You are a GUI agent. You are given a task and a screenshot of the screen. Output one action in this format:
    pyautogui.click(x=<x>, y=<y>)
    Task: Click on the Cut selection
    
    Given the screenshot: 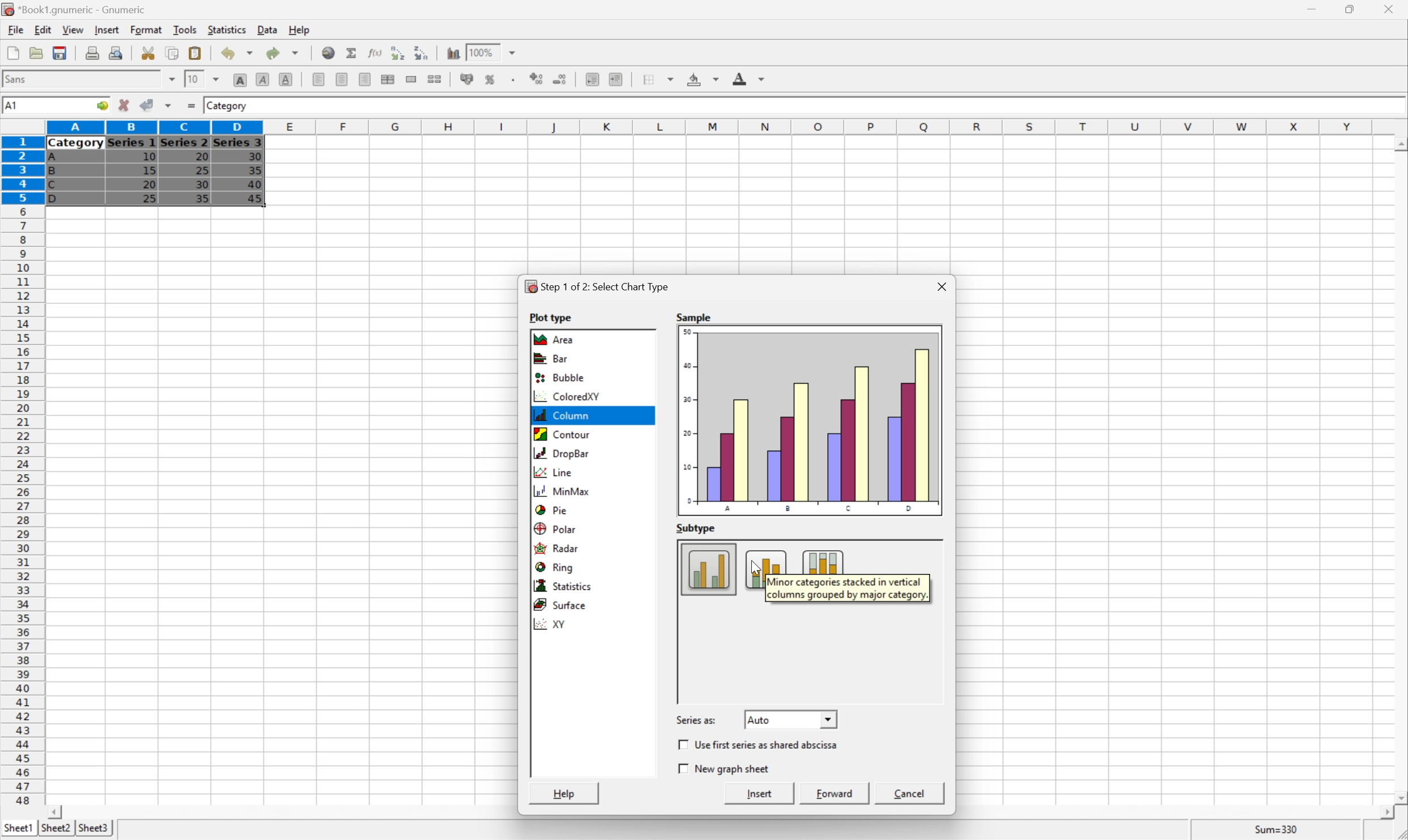 What is the action you would take?
    pyautogui.click(x=149, y=53)
    